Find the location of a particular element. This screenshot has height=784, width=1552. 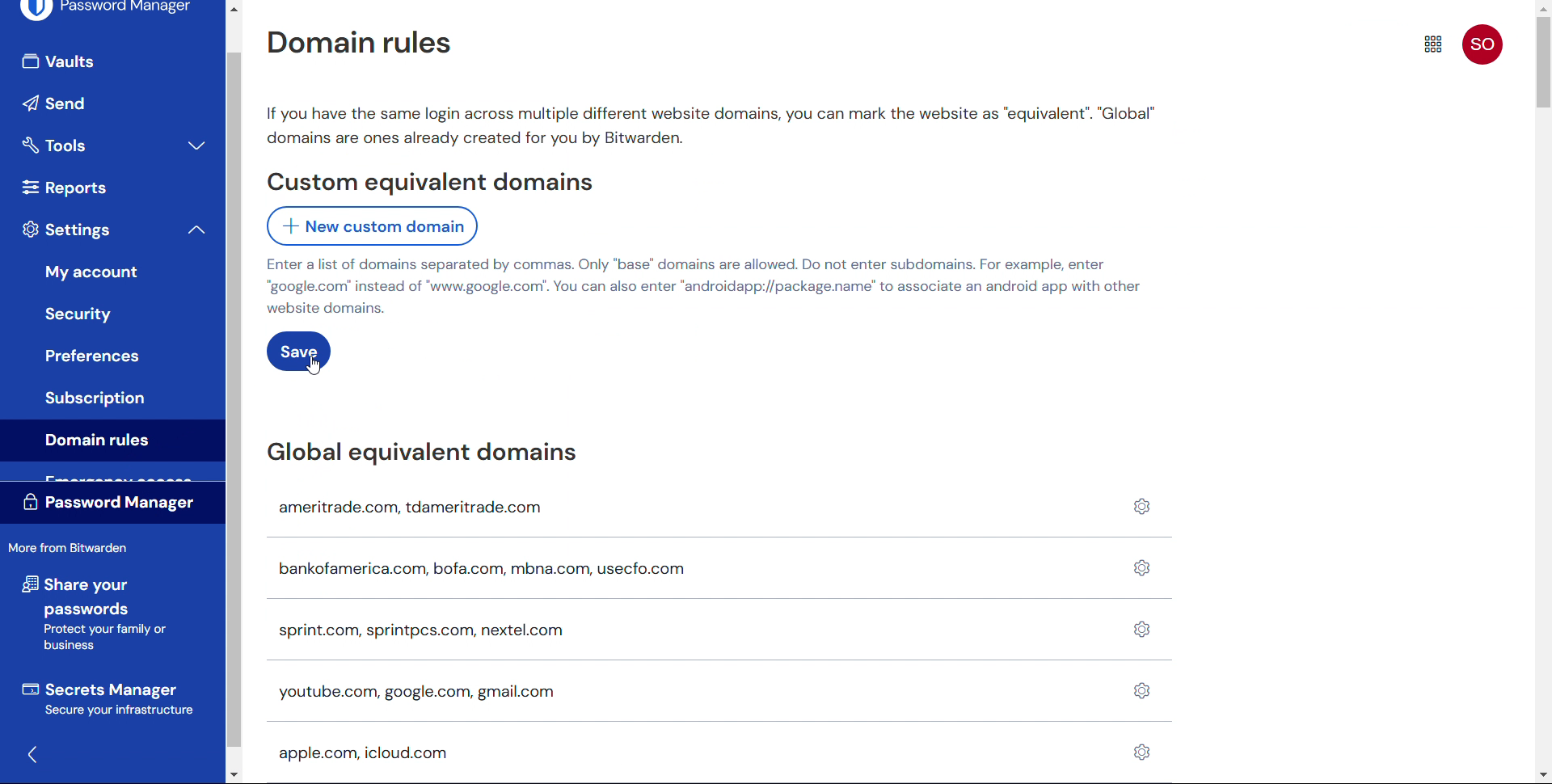

Enter a list of domains separated by commas. Only “base” domains are allowed. Do not enter subdomains. For example, enter
“google.com” instead of “www.google.com”. You can also enter “androidapp:/package.name” to associate an android app with other
‘website domains. is located at coordinates (706, 287).